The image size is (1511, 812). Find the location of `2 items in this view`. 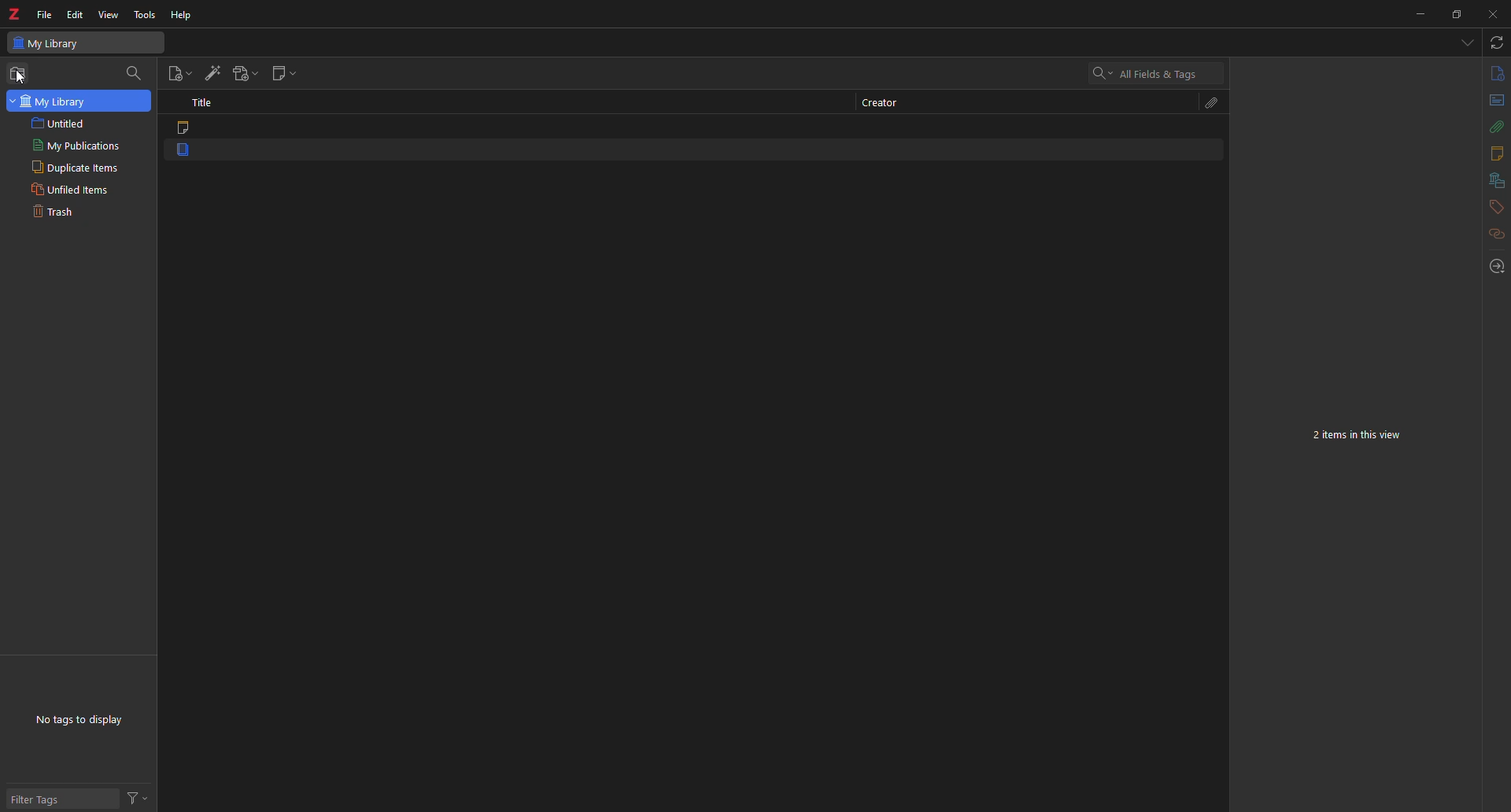

2 items in this view is located at coordinates (1362, 436).